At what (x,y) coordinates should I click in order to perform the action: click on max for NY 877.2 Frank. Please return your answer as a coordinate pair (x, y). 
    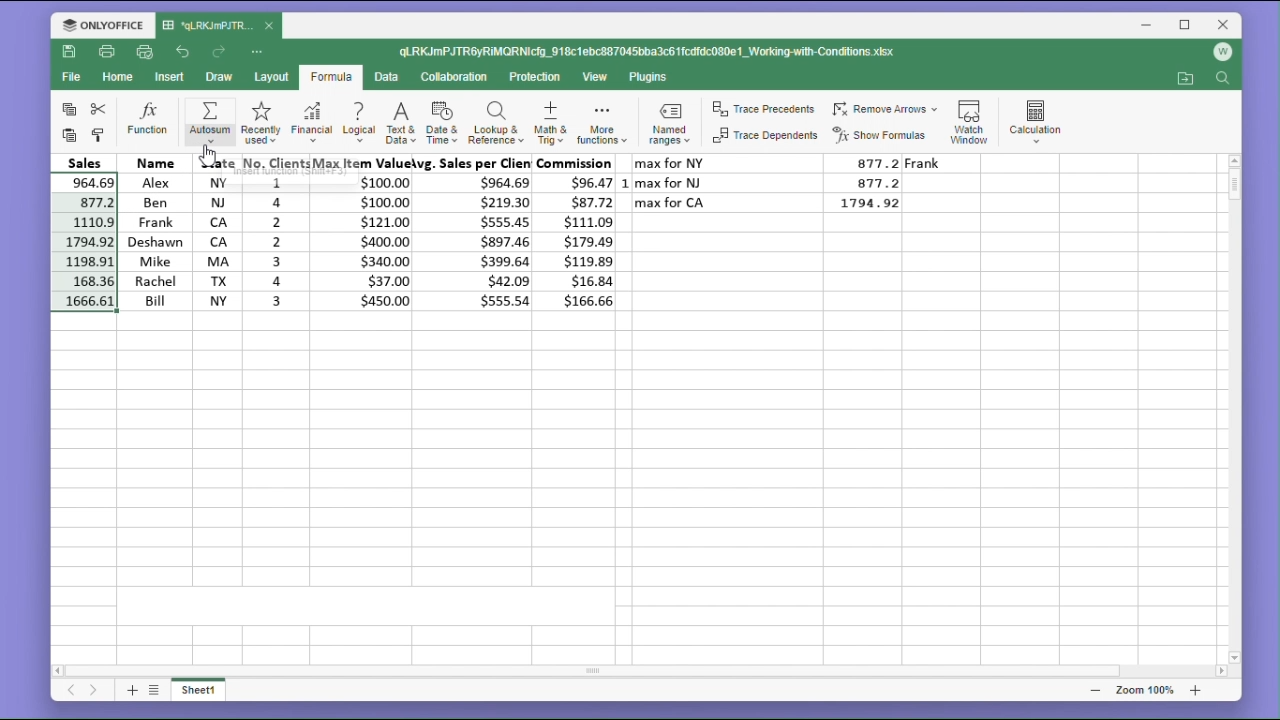
    Looking at the image, I should click on (807, 163).